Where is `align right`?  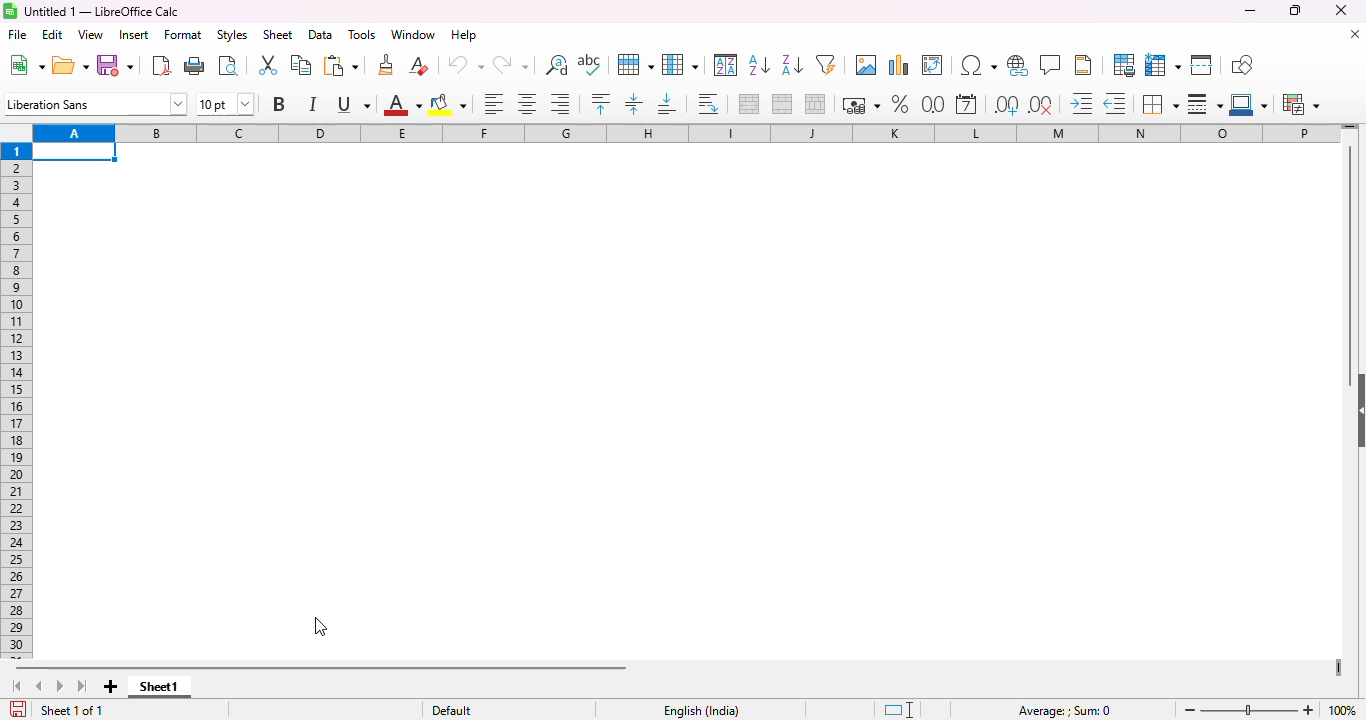
align right is located at coordinates (560, 104).